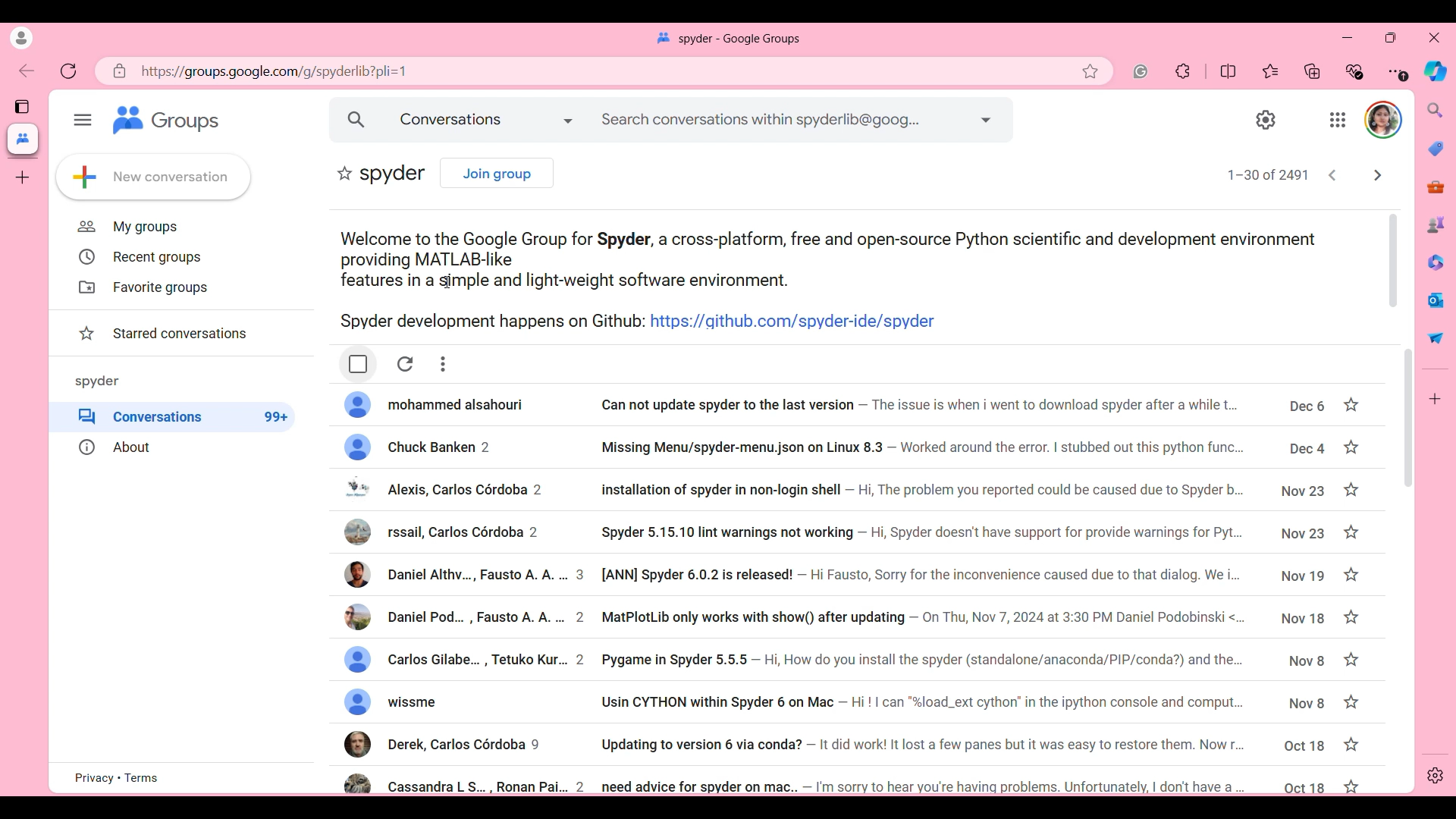 This screenshot has width=1456, height=819. Describe the element at coordinates (1436, 337) in the screenshot. I see `Share` at that location.